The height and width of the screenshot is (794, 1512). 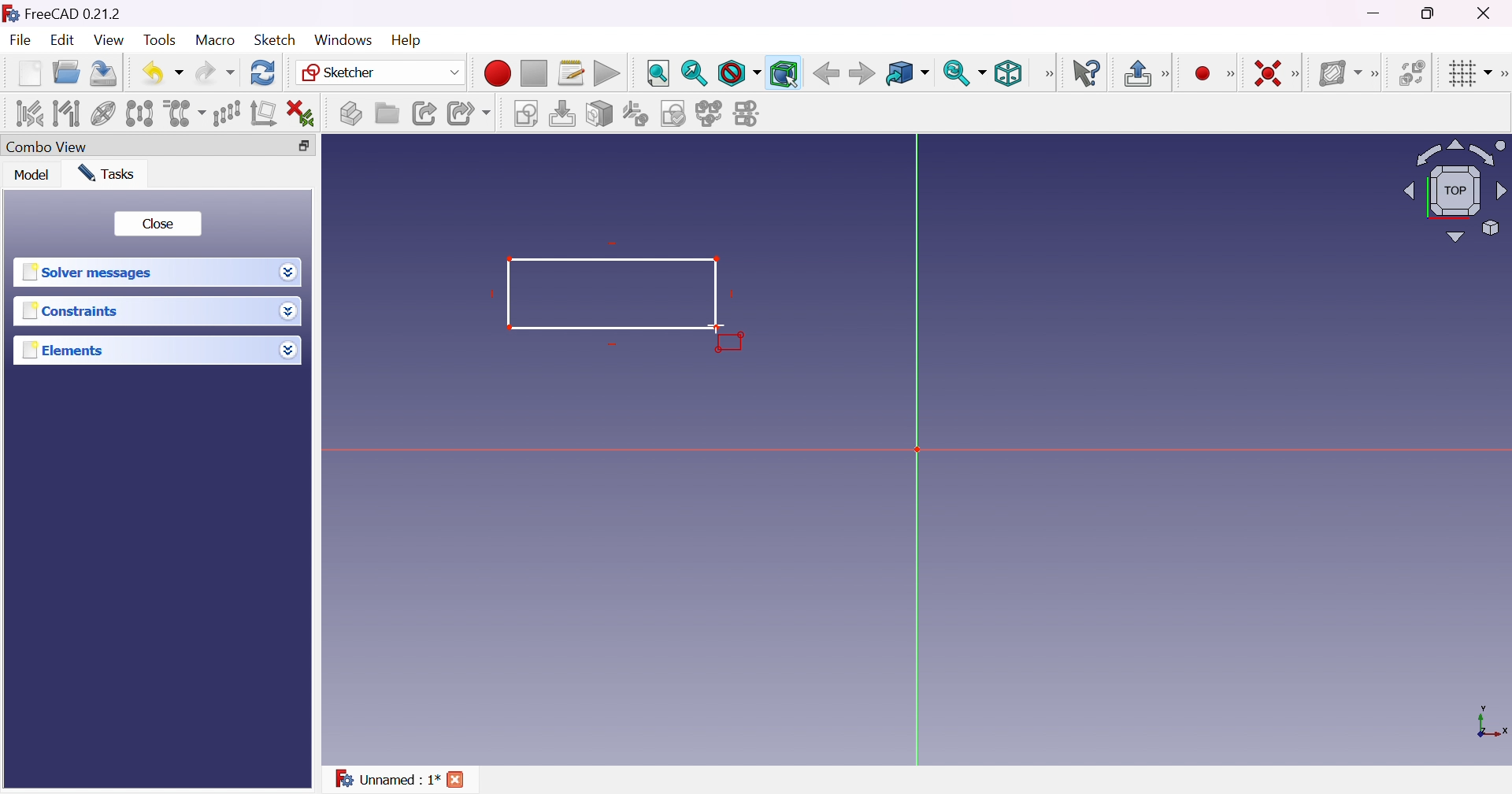 I want to click on Edit sketch, so click(x=561, y=113).